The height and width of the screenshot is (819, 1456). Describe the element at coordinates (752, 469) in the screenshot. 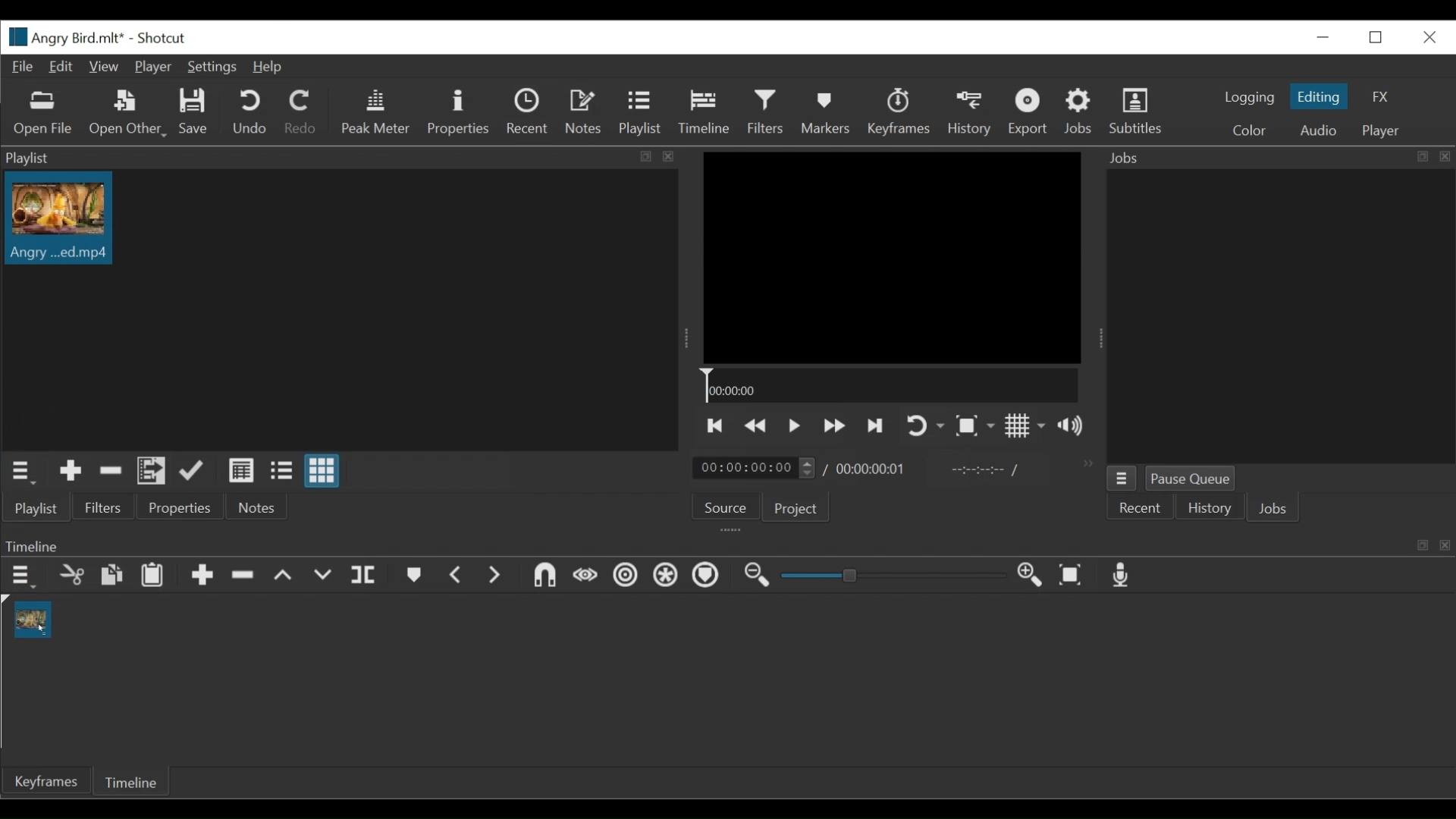

I see `timing` at that location.